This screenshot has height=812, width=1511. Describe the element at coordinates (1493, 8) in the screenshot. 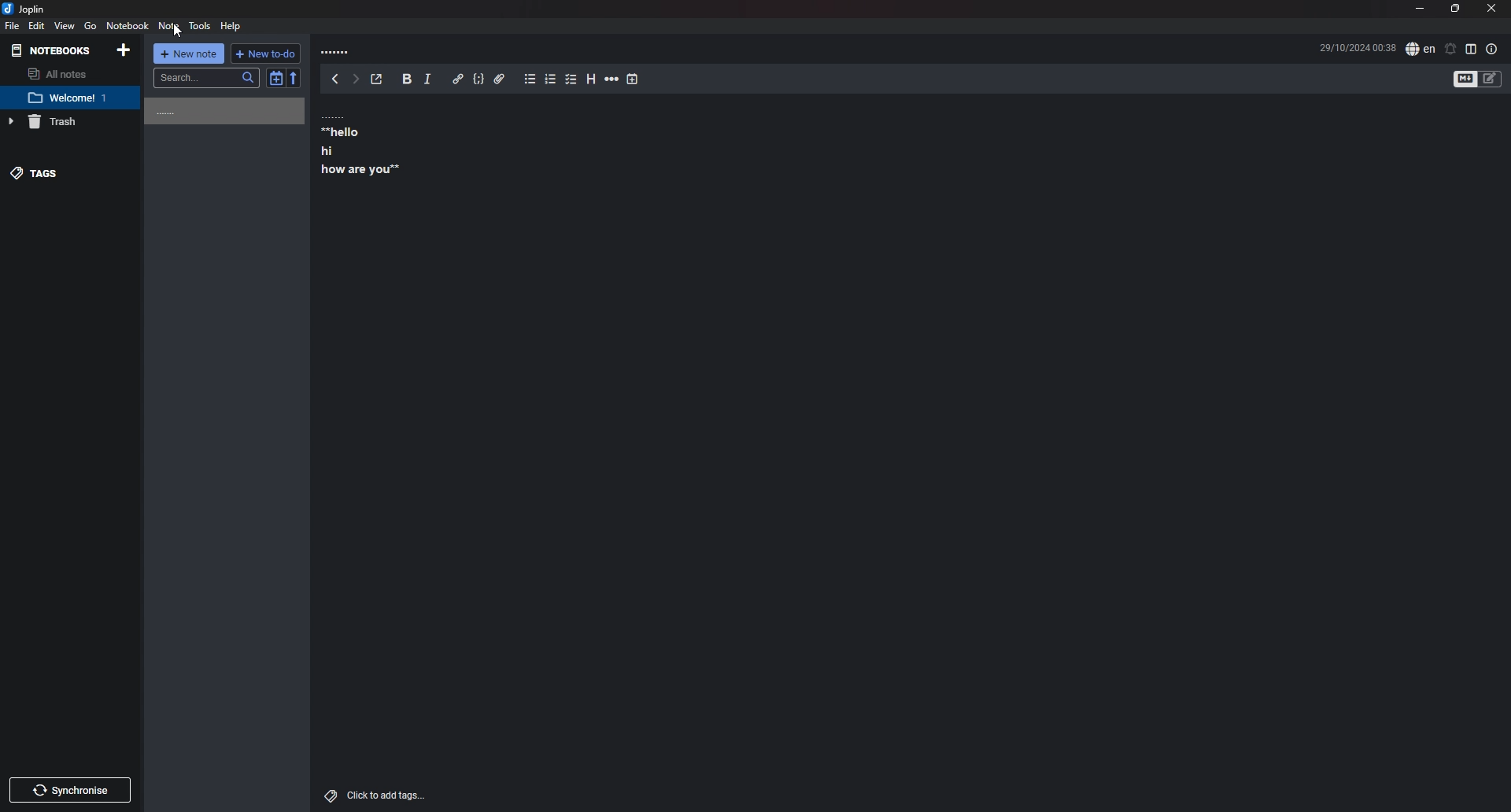

I see `close` at that location.